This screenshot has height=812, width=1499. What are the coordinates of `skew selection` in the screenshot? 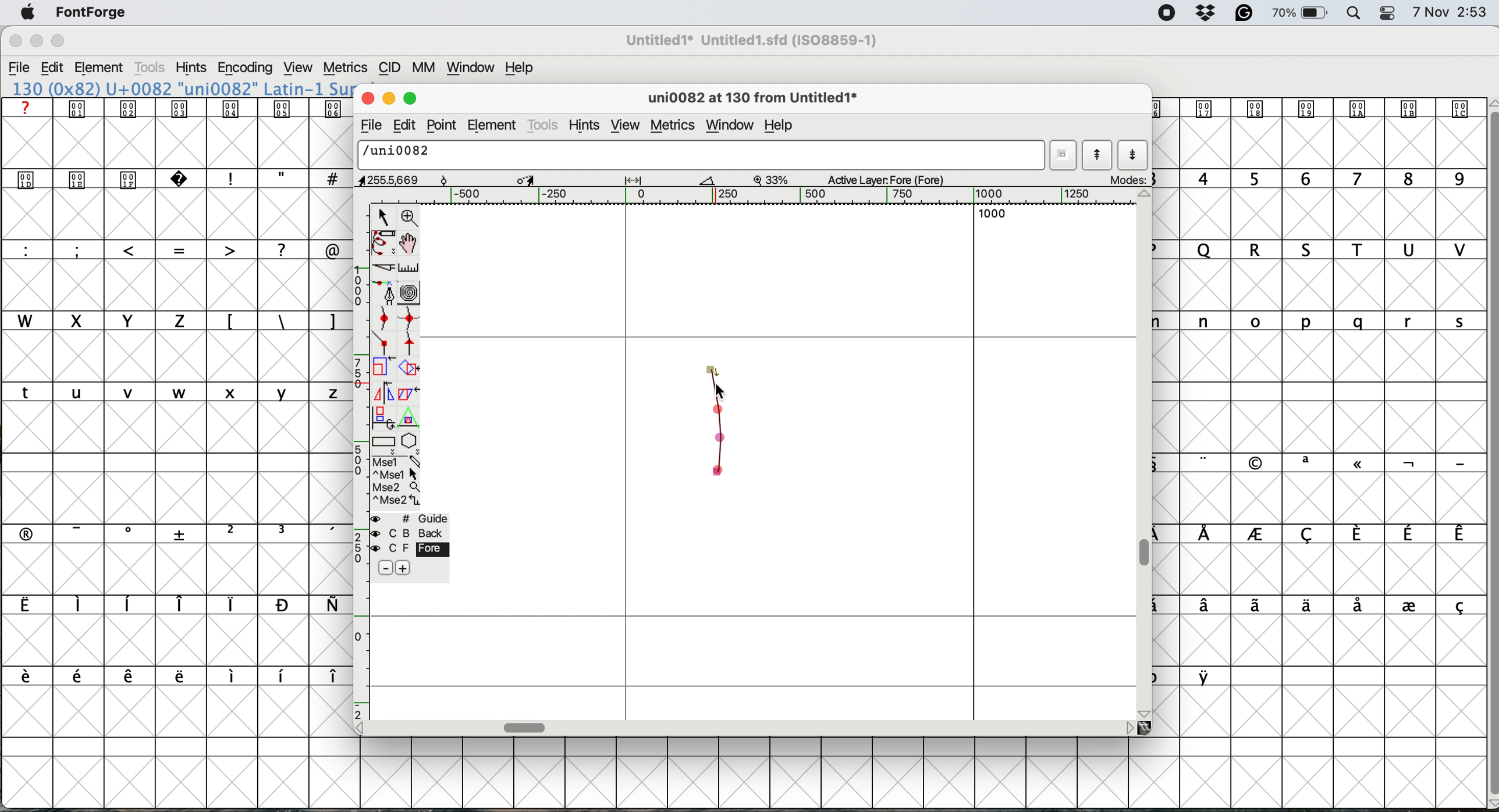 It's located at (406, 393).